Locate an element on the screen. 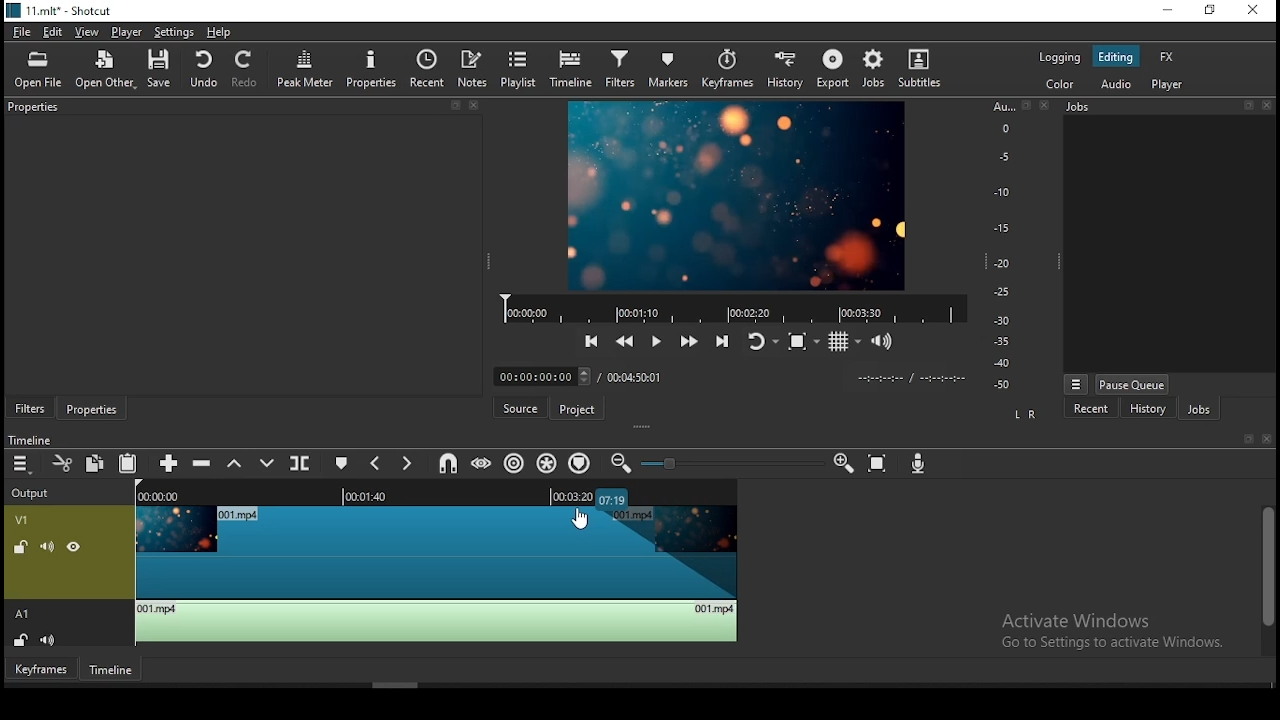  timeline is located at coordinates (574, 69).